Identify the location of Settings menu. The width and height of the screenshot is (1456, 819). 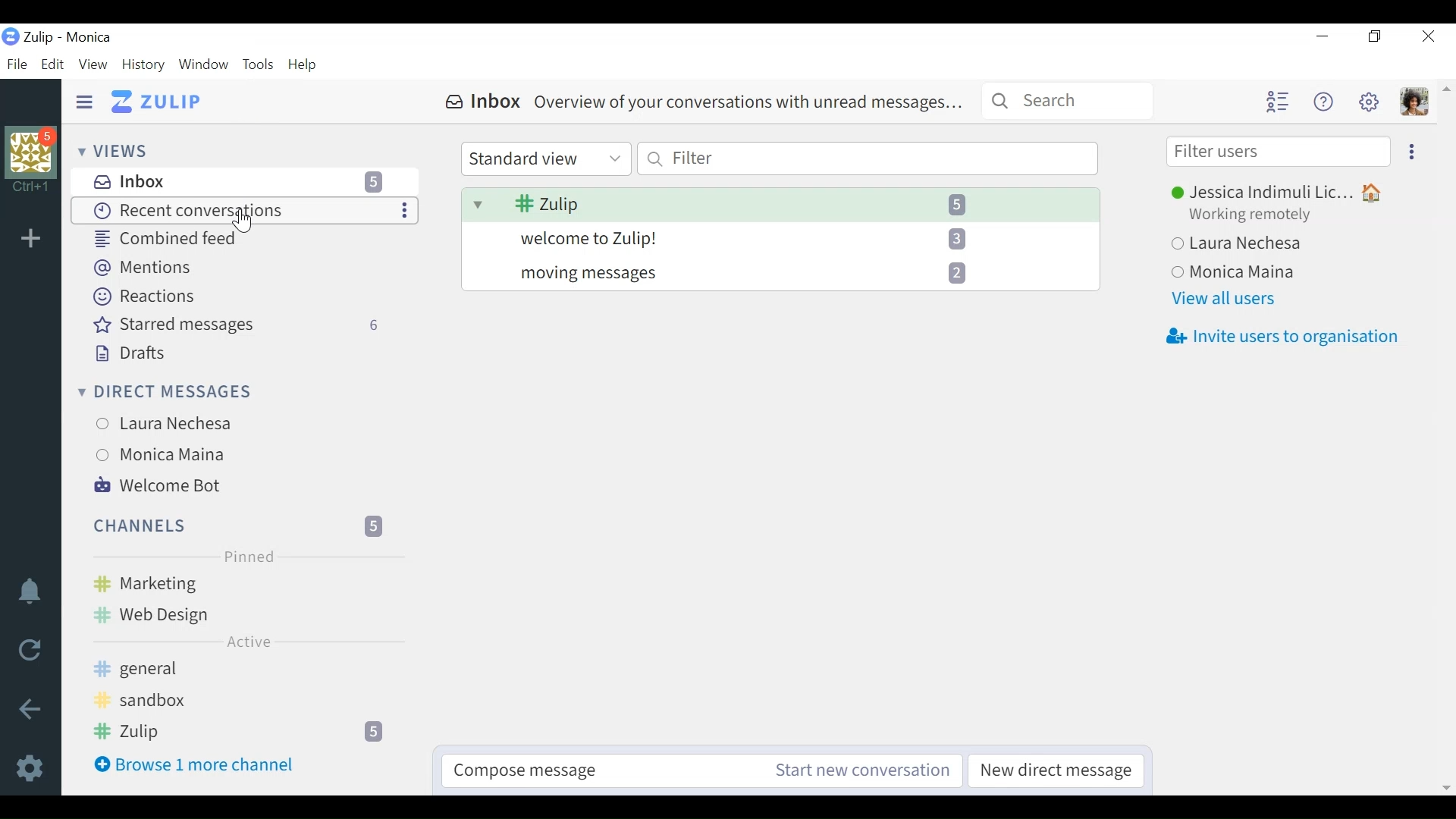
(1369, 102).